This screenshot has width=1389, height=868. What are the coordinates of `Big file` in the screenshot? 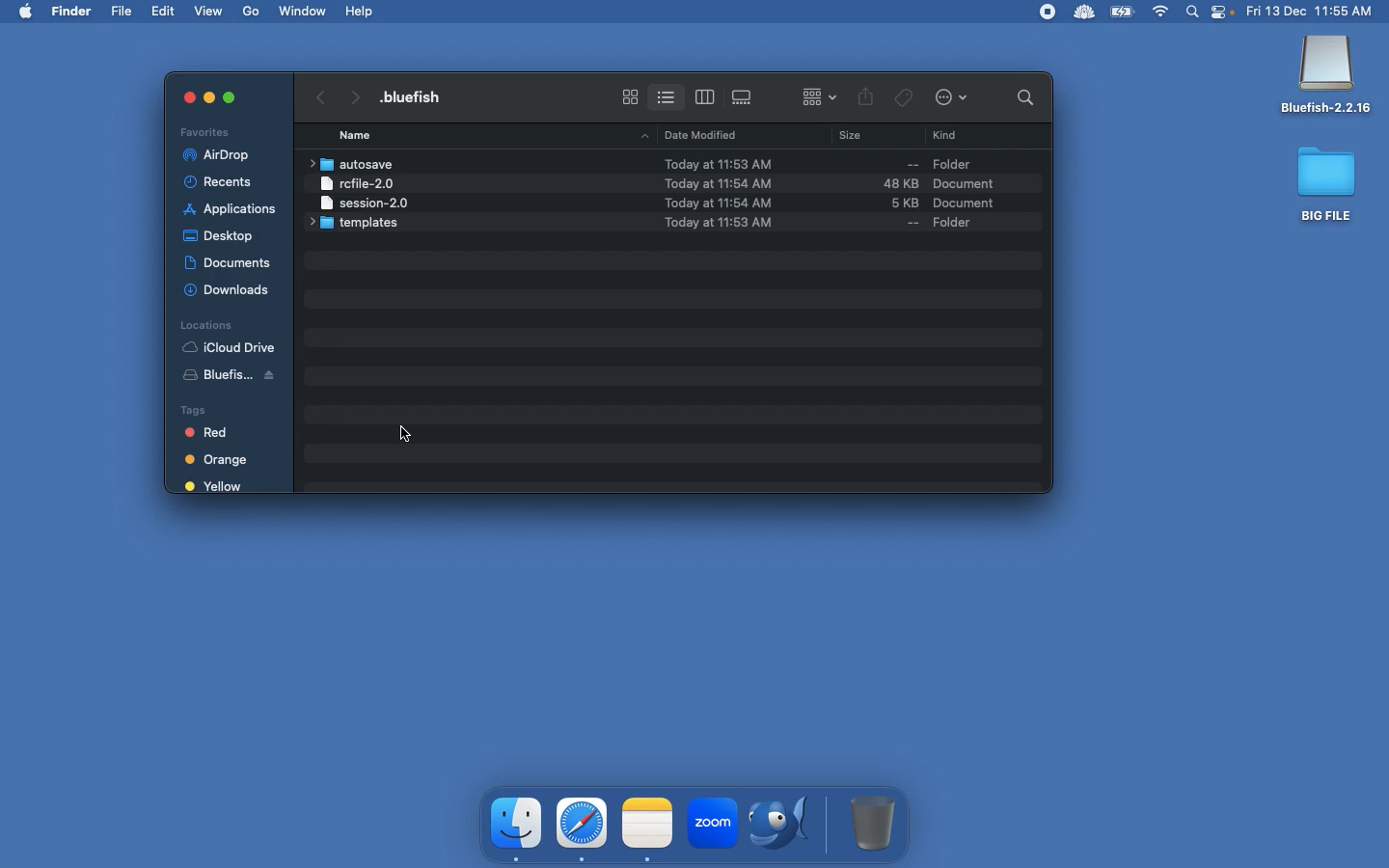 It's located at (1327, 183).